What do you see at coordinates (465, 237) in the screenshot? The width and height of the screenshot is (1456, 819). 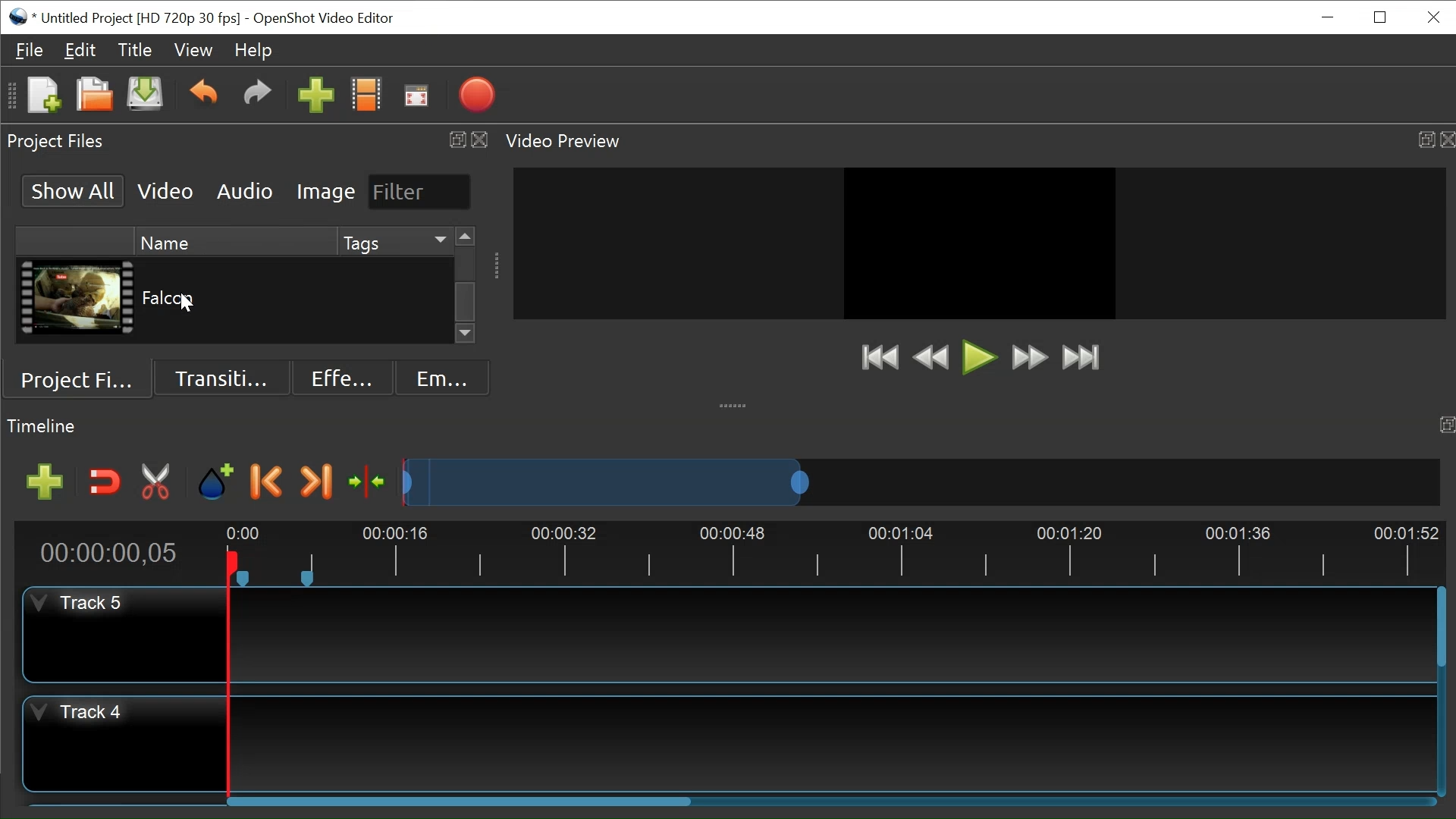 I see `Scroll up` at bounding box center [465, 237].